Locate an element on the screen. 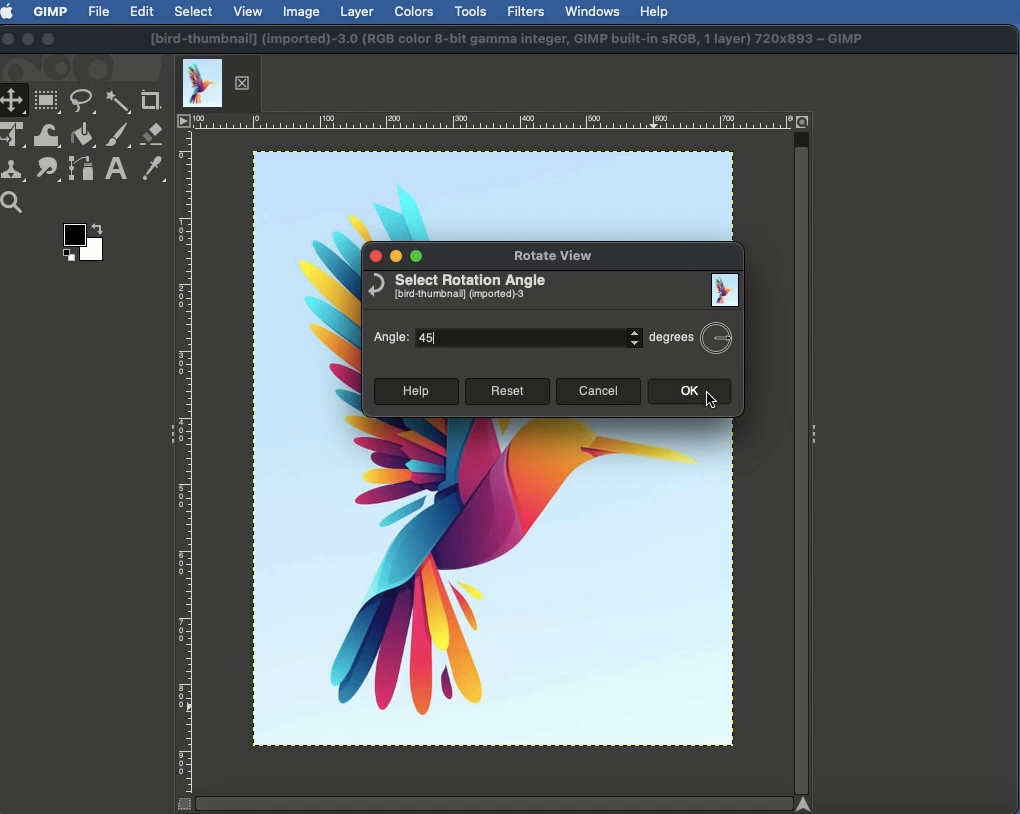 The width and height of the screenshot is (1020, 814). Close is located at coordinates (373, 258).